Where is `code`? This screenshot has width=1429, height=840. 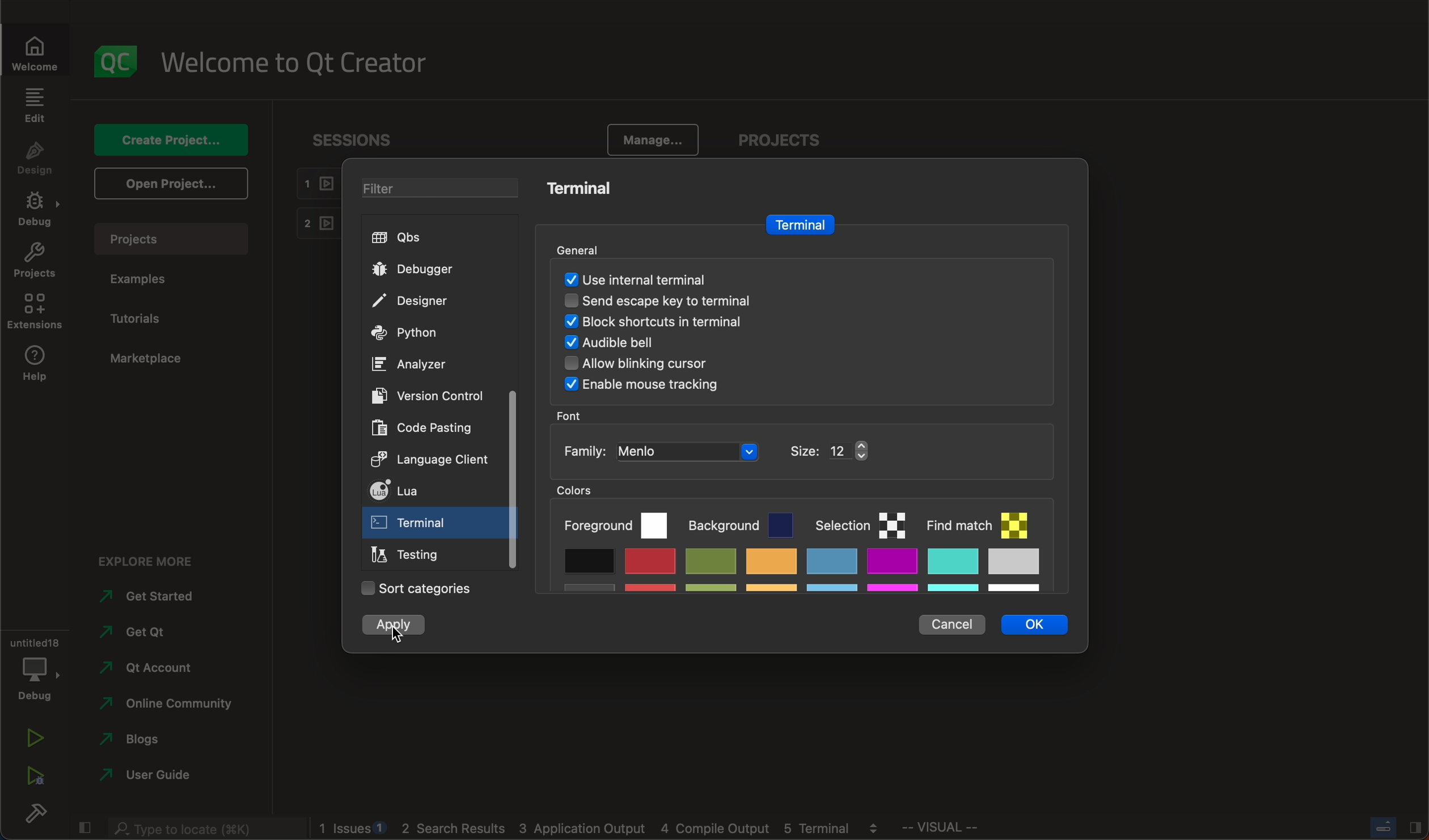
code is located at coordinates (424, 429).